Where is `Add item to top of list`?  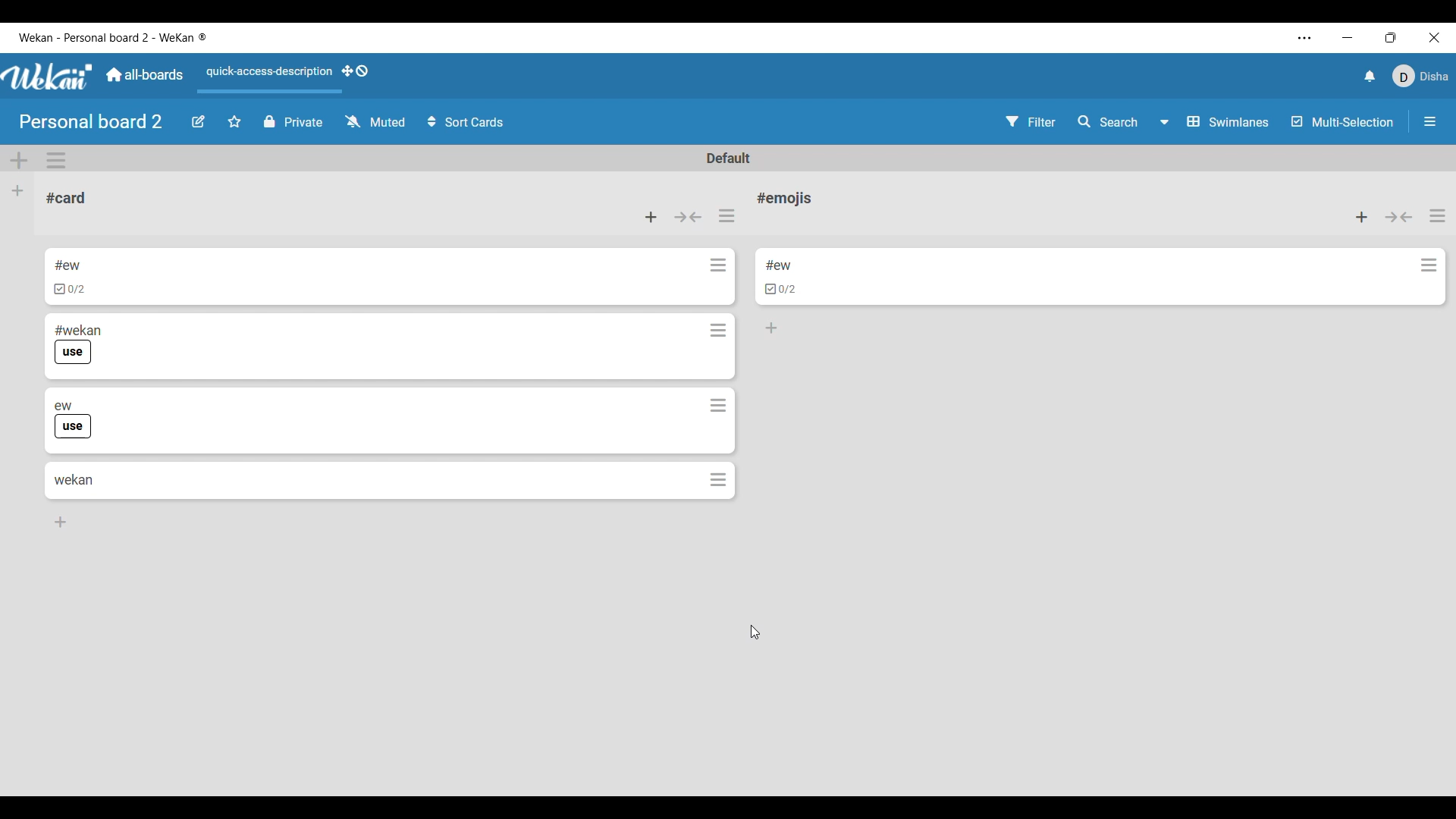 Add item to top of list is located at coordinates (1362, 217).